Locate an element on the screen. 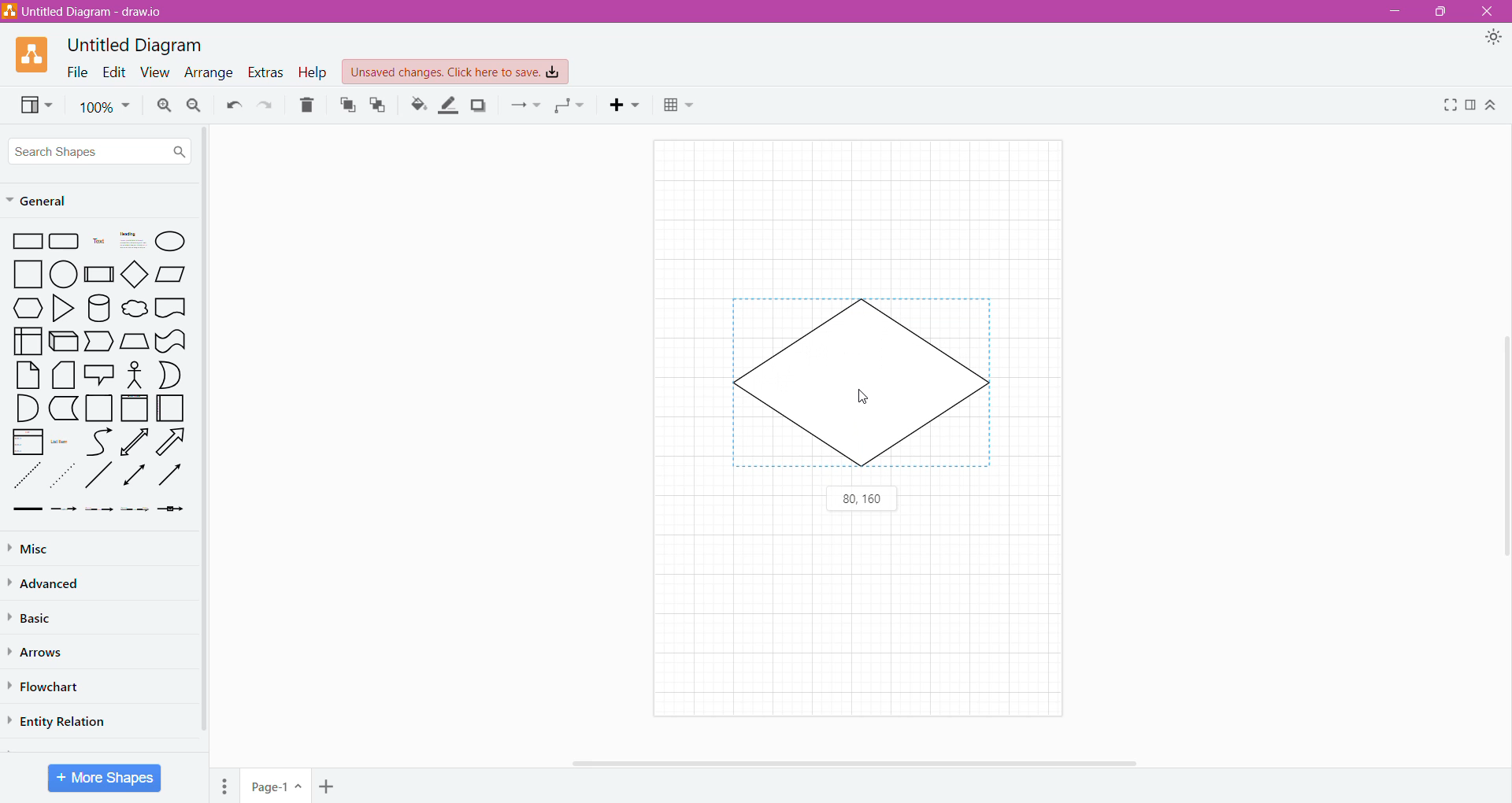  Link is located at coordinates (27, 510).